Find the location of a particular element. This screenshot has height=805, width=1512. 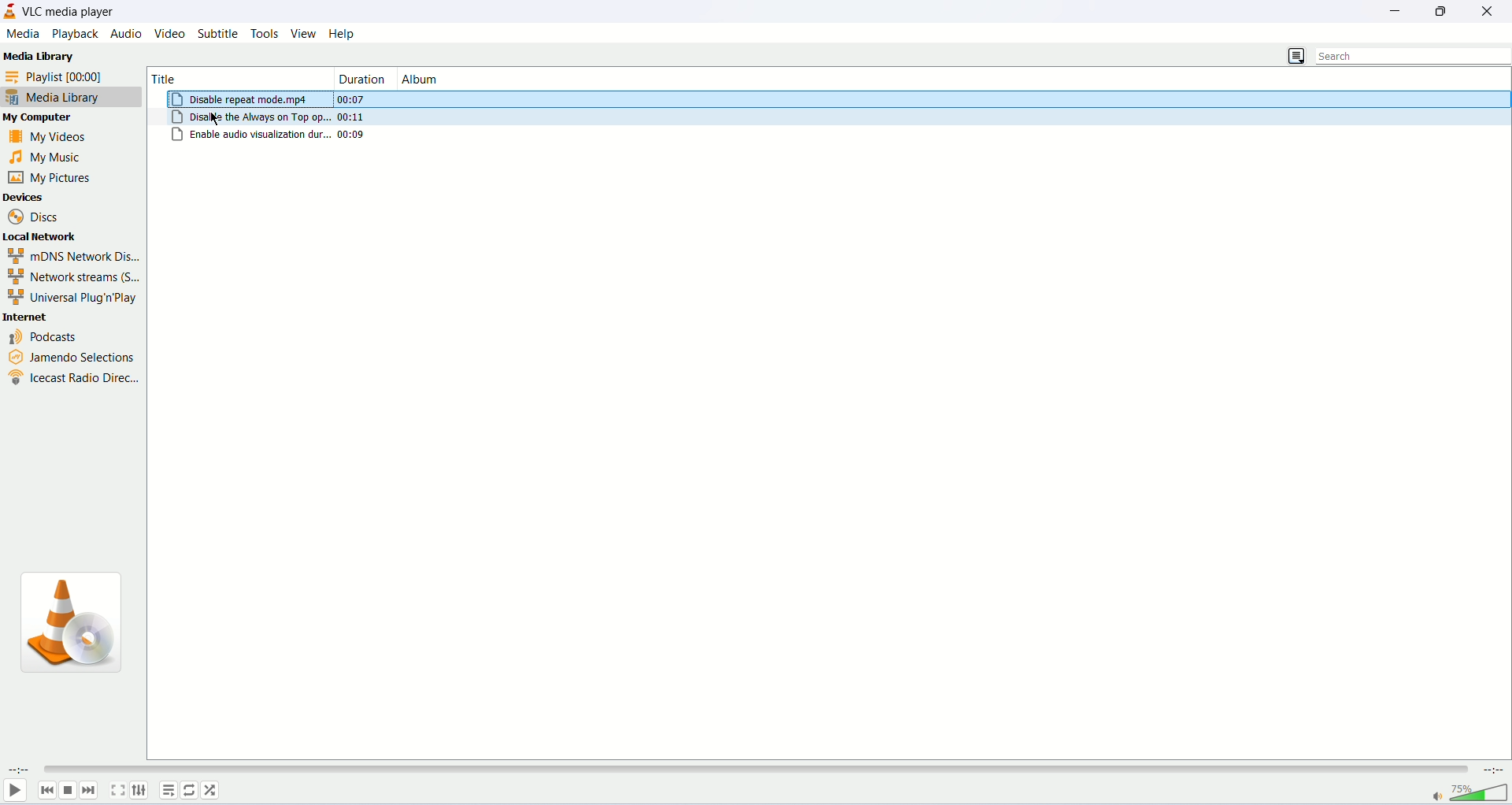

mouse cursor is located at coordinates (218, 118).